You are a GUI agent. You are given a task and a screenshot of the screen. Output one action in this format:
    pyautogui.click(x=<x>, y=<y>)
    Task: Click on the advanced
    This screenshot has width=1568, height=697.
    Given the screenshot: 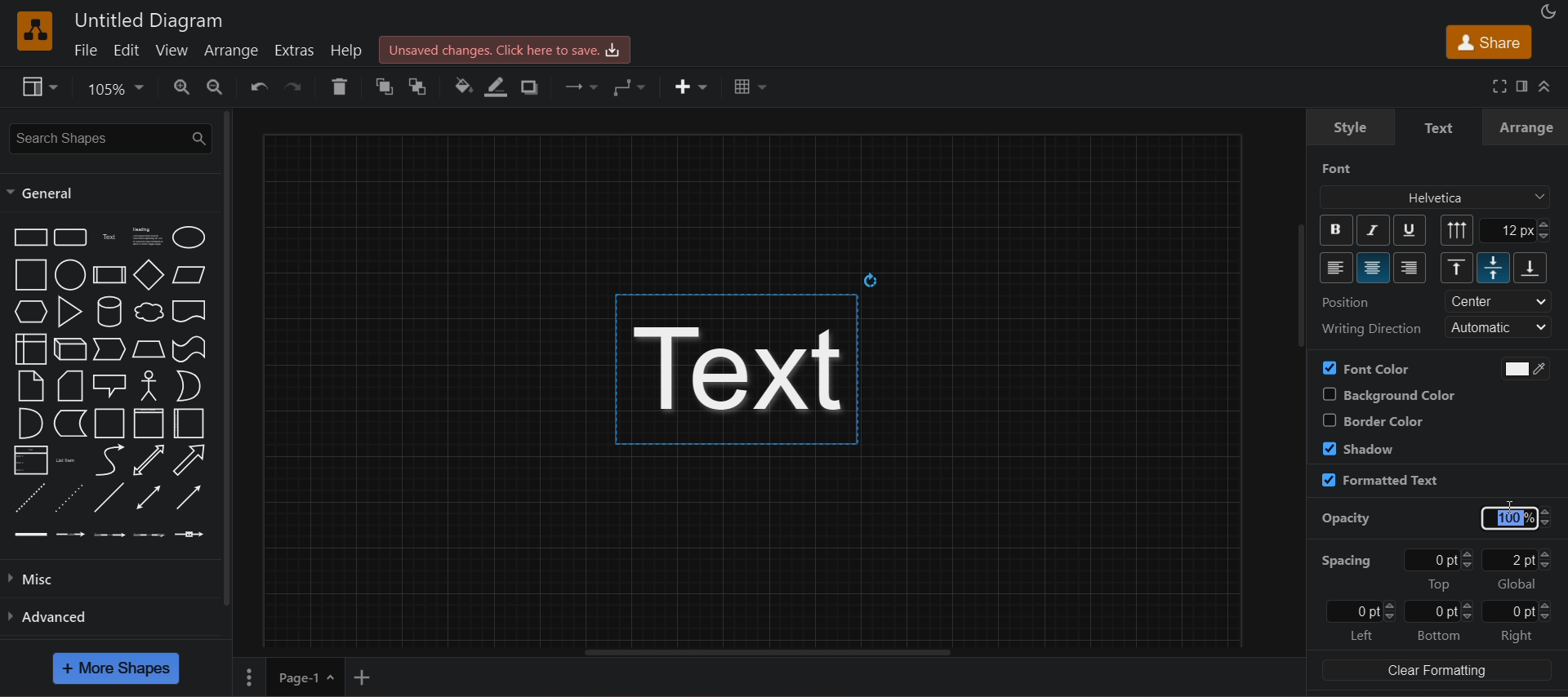 What is the action you would take?
    pyautogui.click(x=108, y=615)
    